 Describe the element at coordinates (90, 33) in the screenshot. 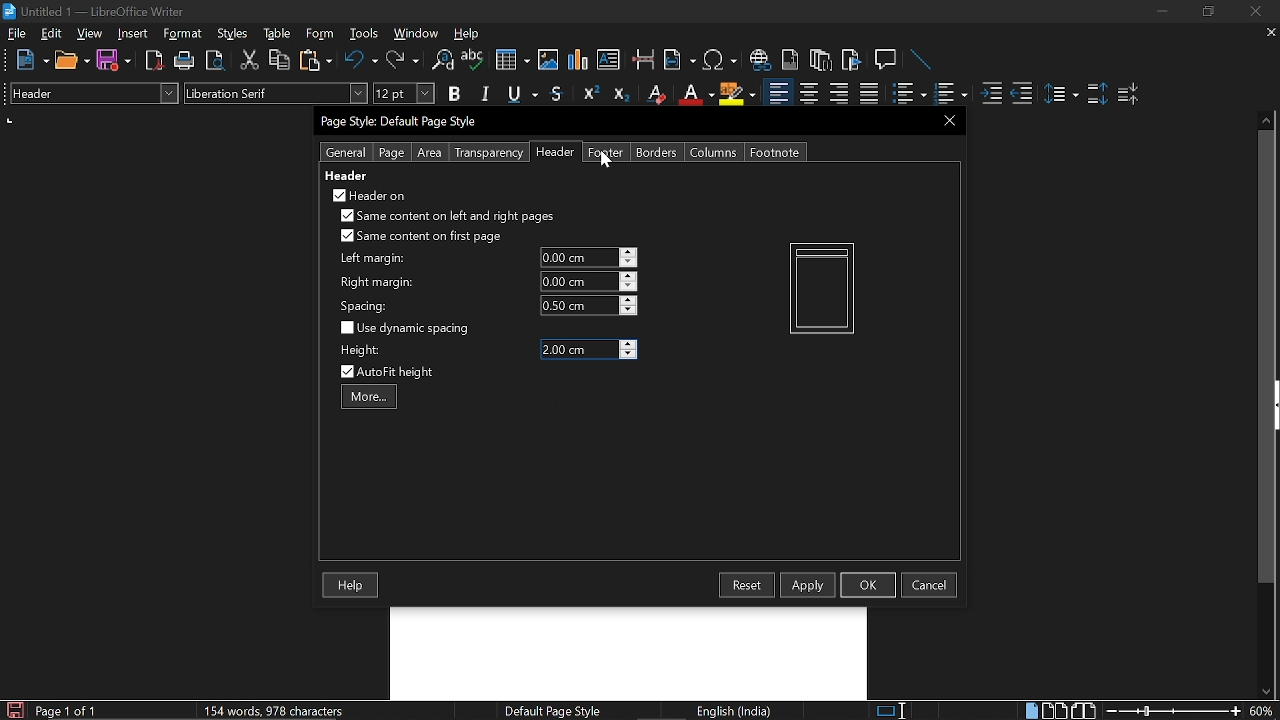

I see `view` at that location.